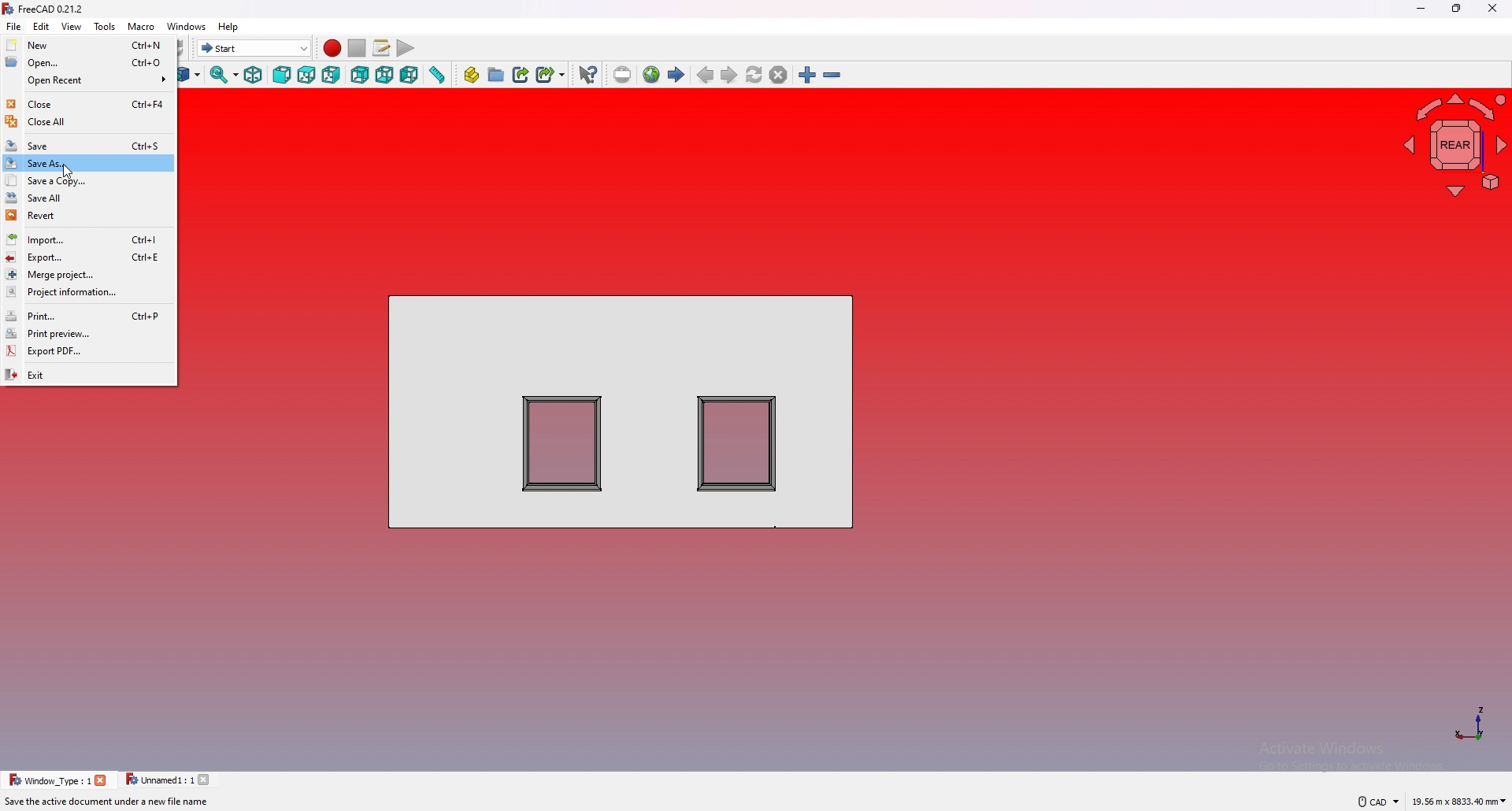 This screenshot has width=1512, height=811. What do you see at coordinates (224, 76) in the screenshot?
I see `sync view` at bounding box center [224, 76].